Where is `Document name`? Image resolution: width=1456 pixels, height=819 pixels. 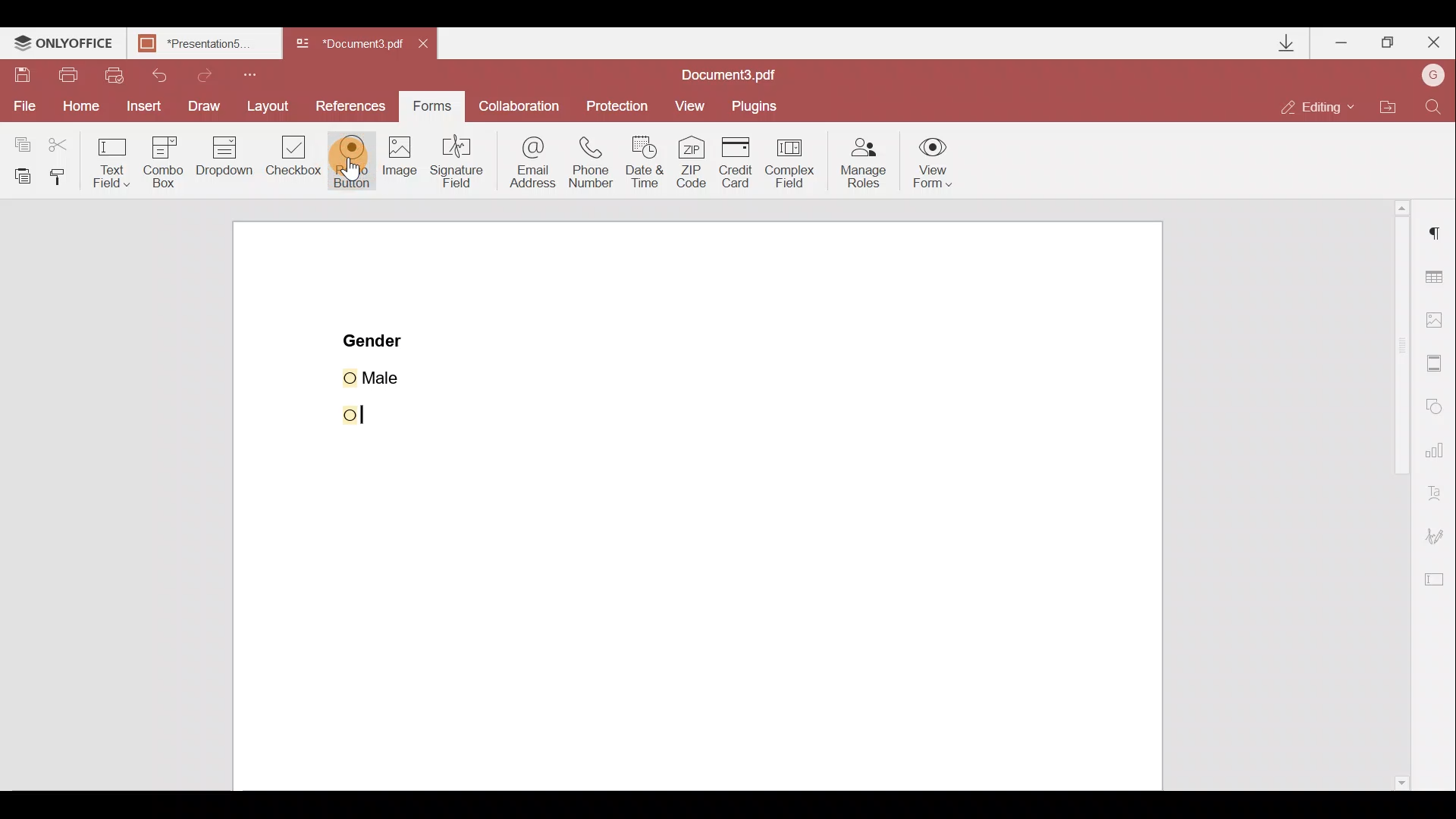 Document name is located at coordinates (352, 44).